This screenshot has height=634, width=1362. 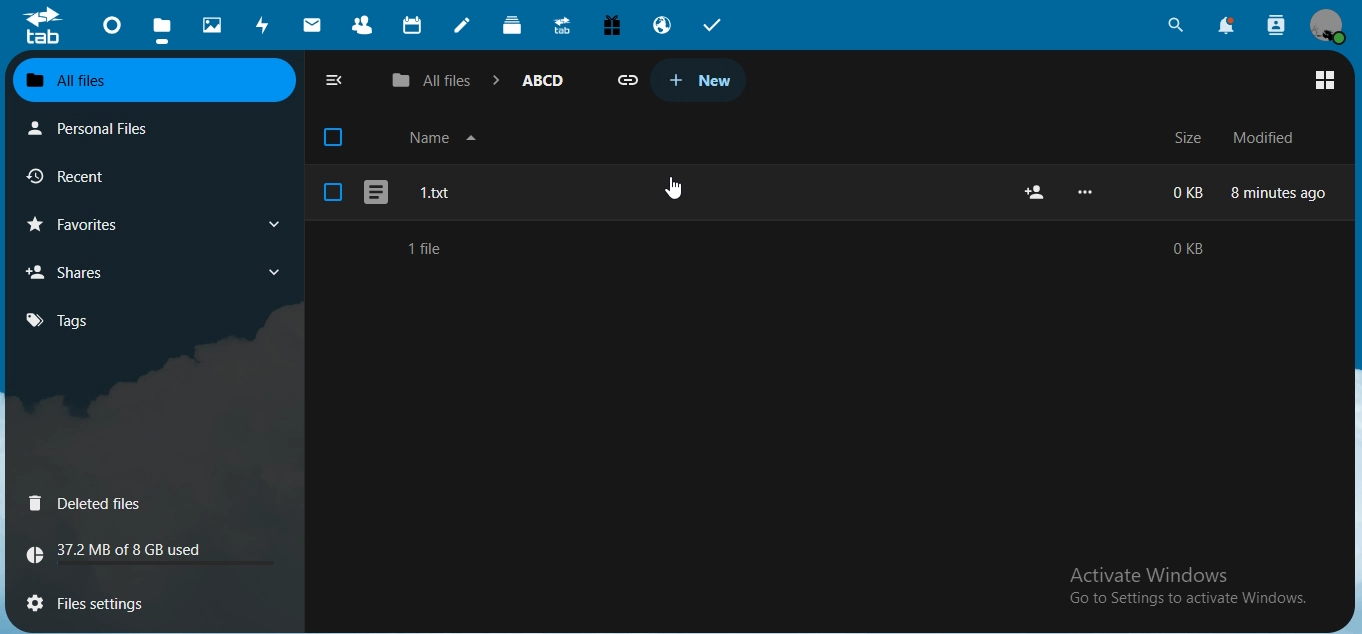 What do you see at coordinates (334, 192) in the screenshot?
I see `check box` at bounding box center [334, 192].